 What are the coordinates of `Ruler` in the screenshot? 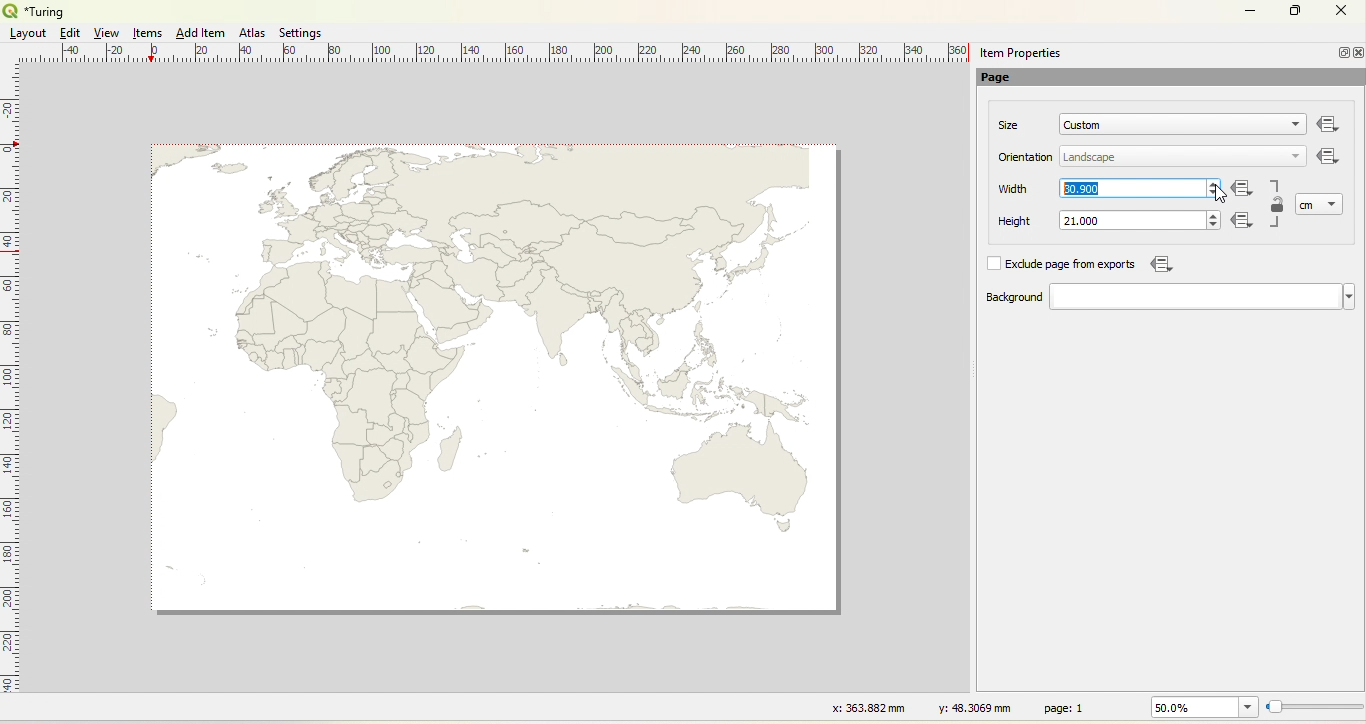 It's located at (11, 391).